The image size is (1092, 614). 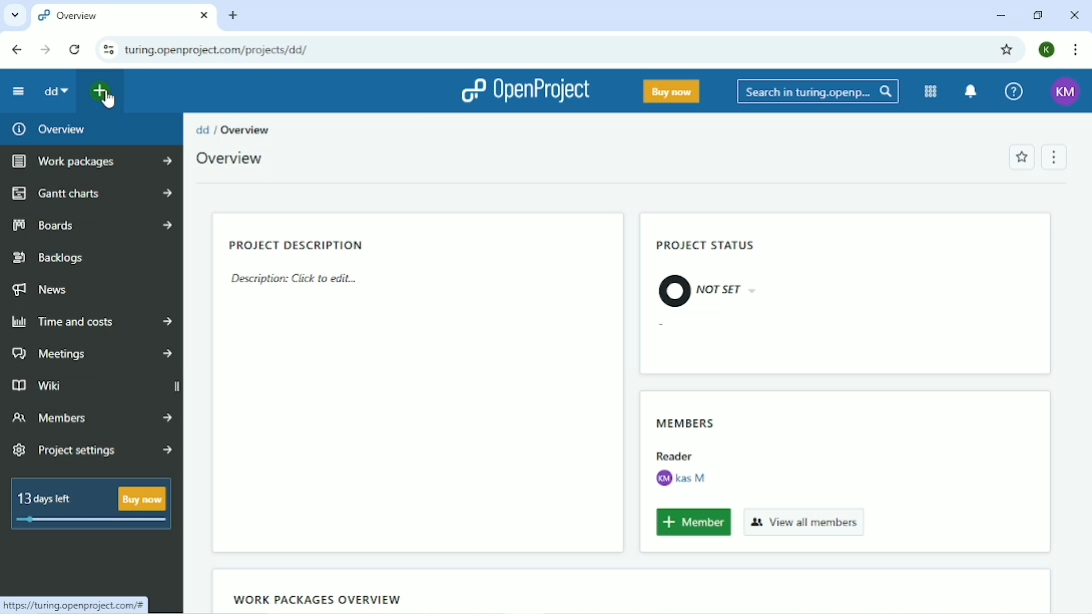 I want to click on Description: Click to edit, so click(x=298, y=279).